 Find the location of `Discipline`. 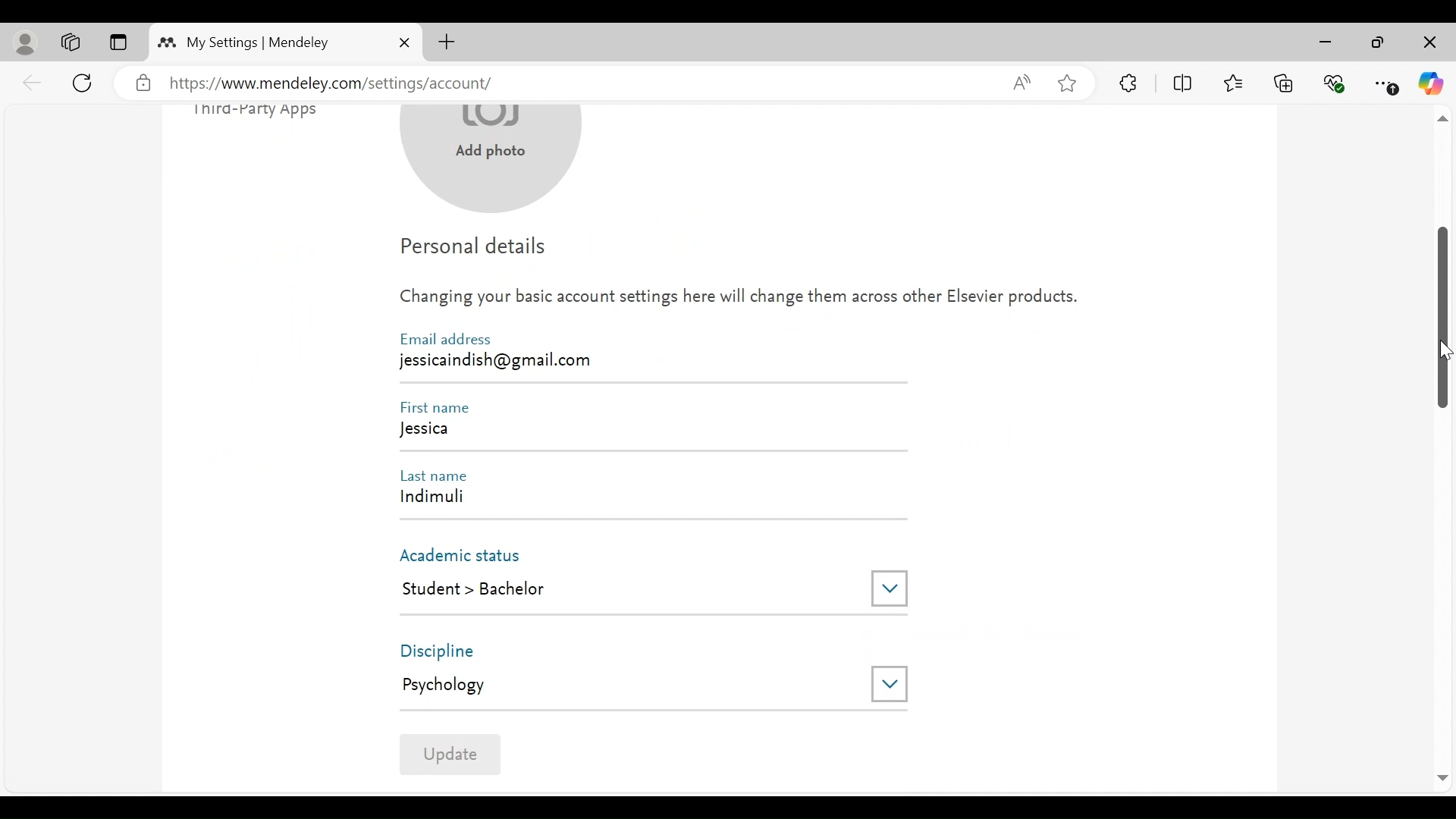

Discipline is located at coordinates (451, 651).